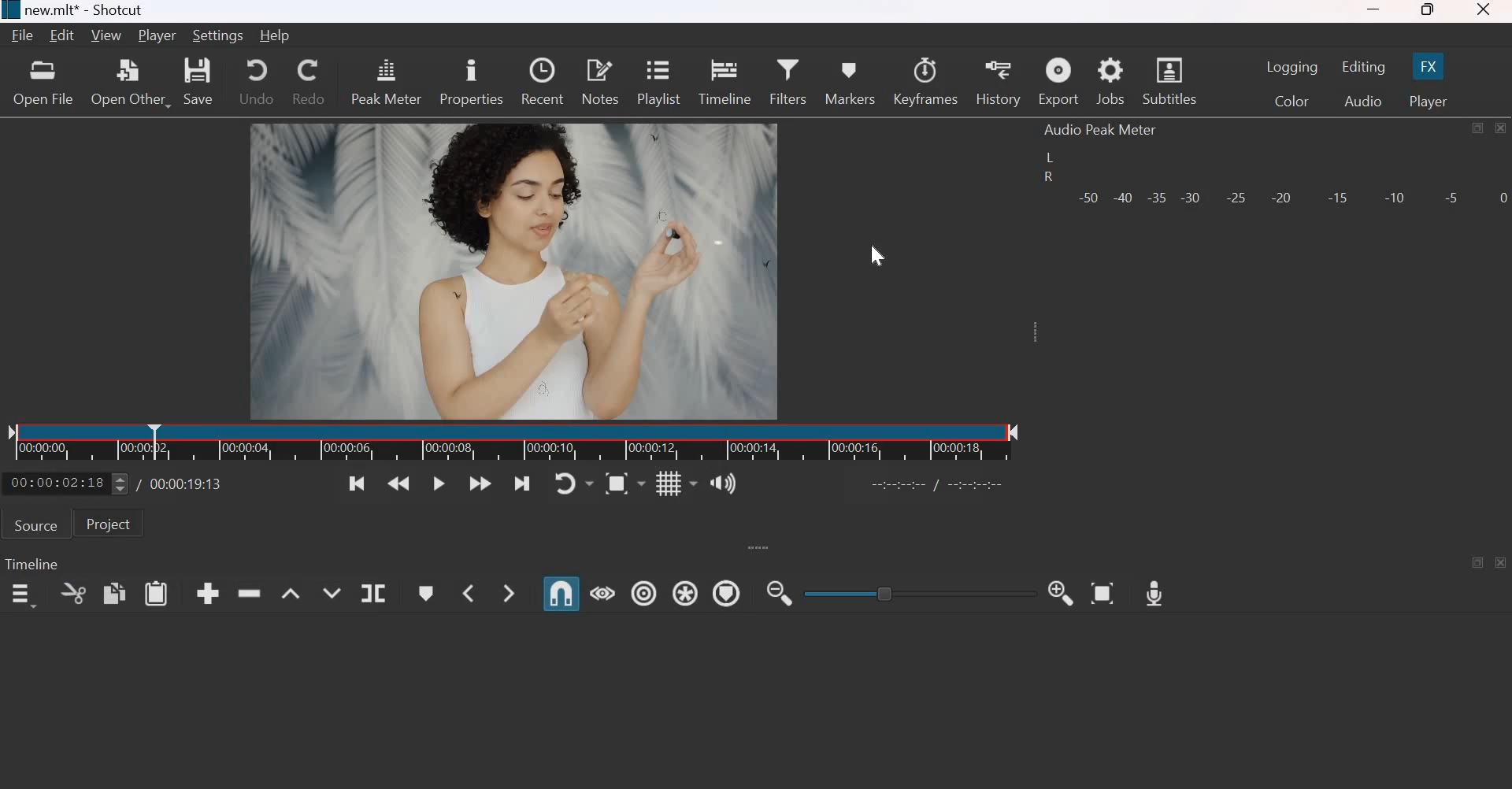  I want to click on Color, so click(1291, 101).